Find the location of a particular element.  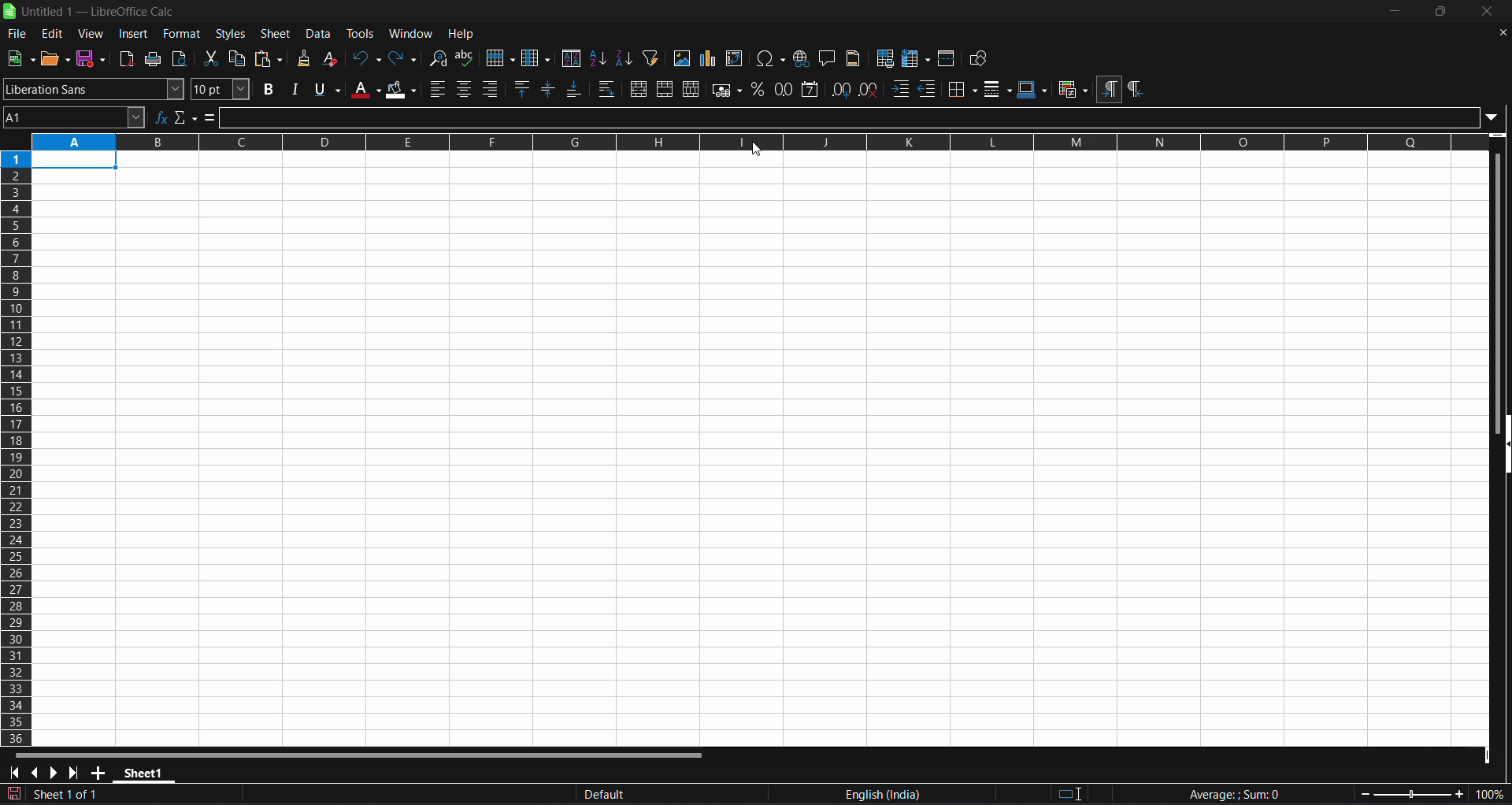

help is located at coordinates (463, 35).